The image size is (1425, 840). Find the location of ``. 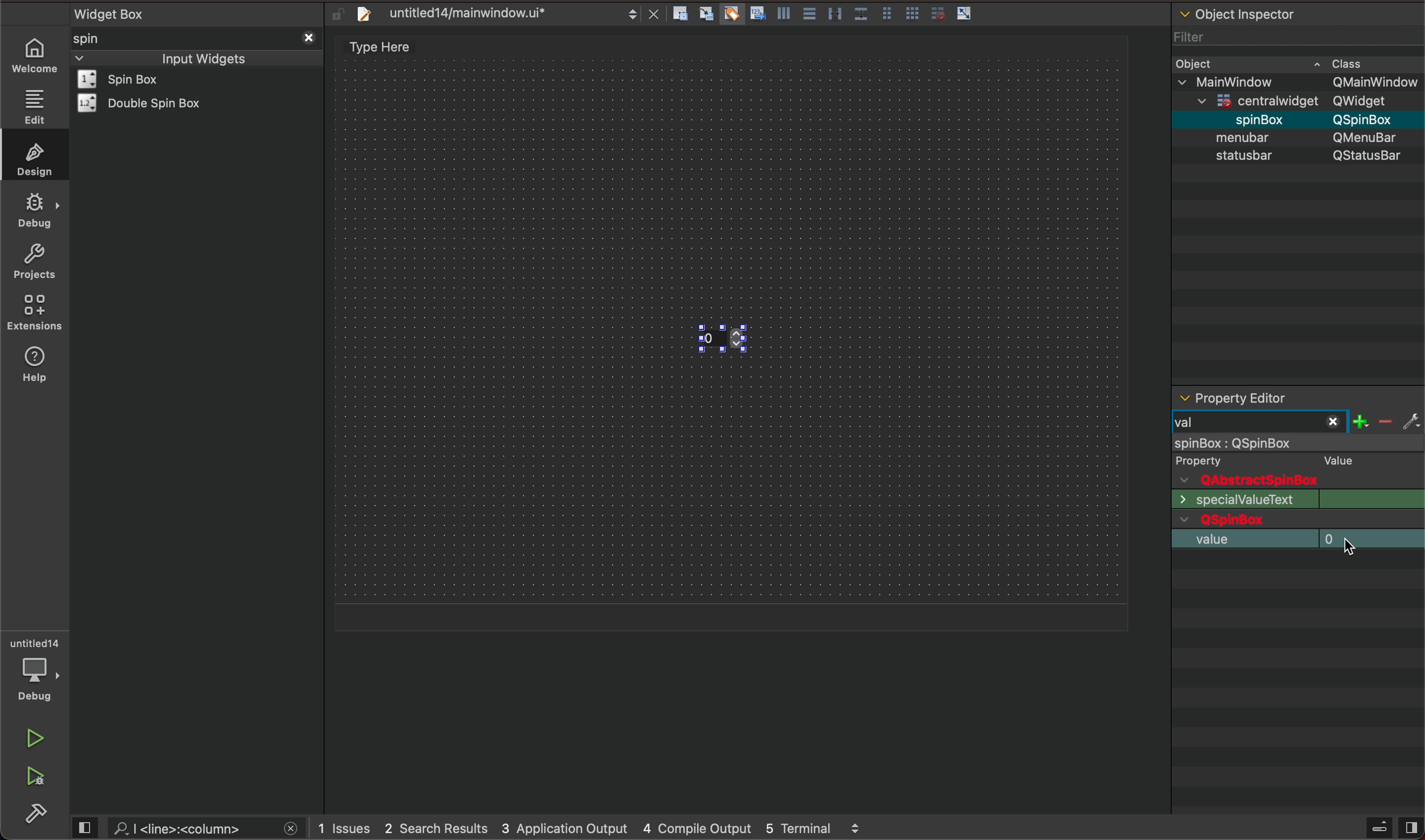

 is located at coordinates (1265, 98).